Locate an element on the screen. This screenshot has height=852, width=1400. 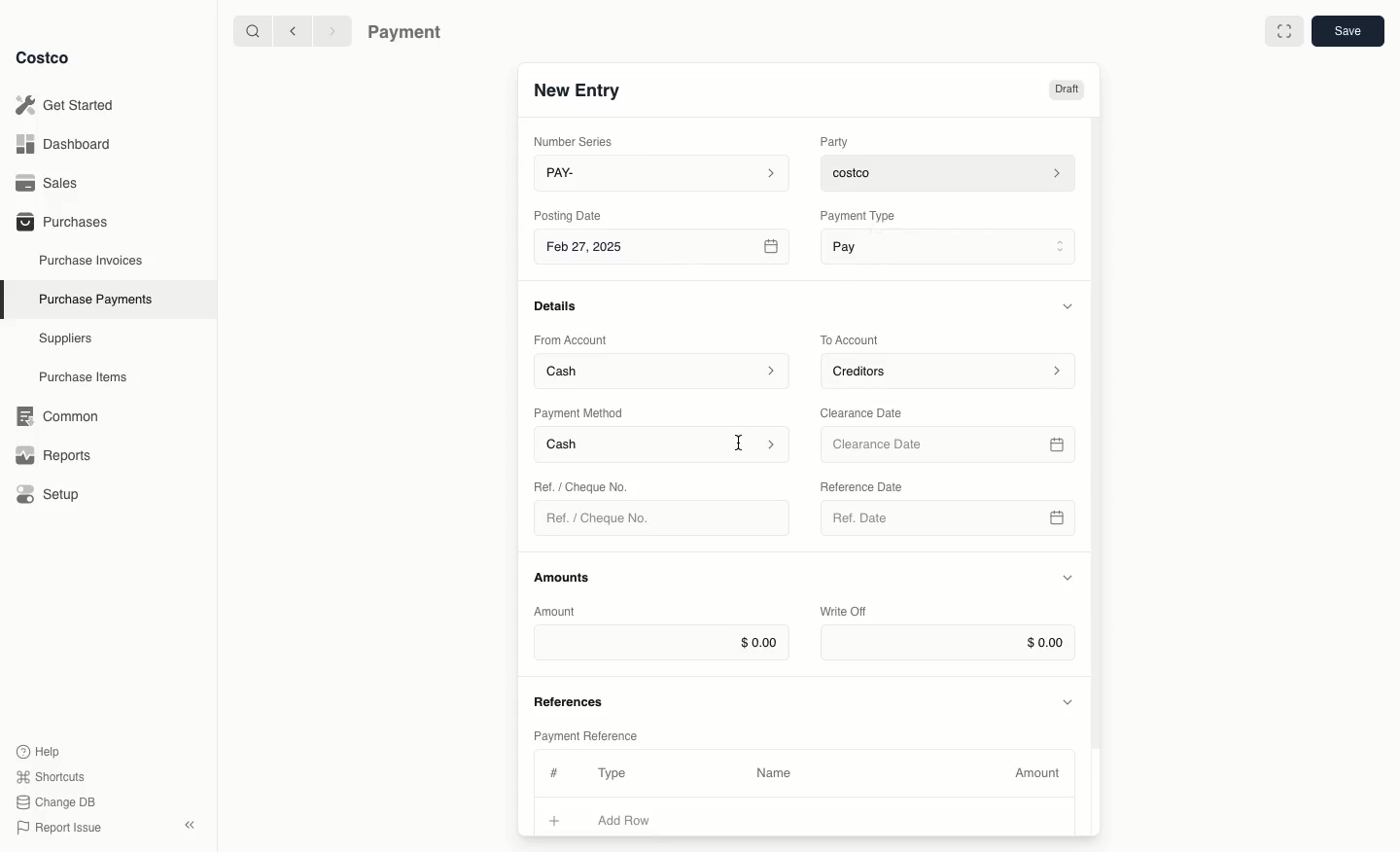
Ret. / Cheque No. is located at coordinates (583, 485).